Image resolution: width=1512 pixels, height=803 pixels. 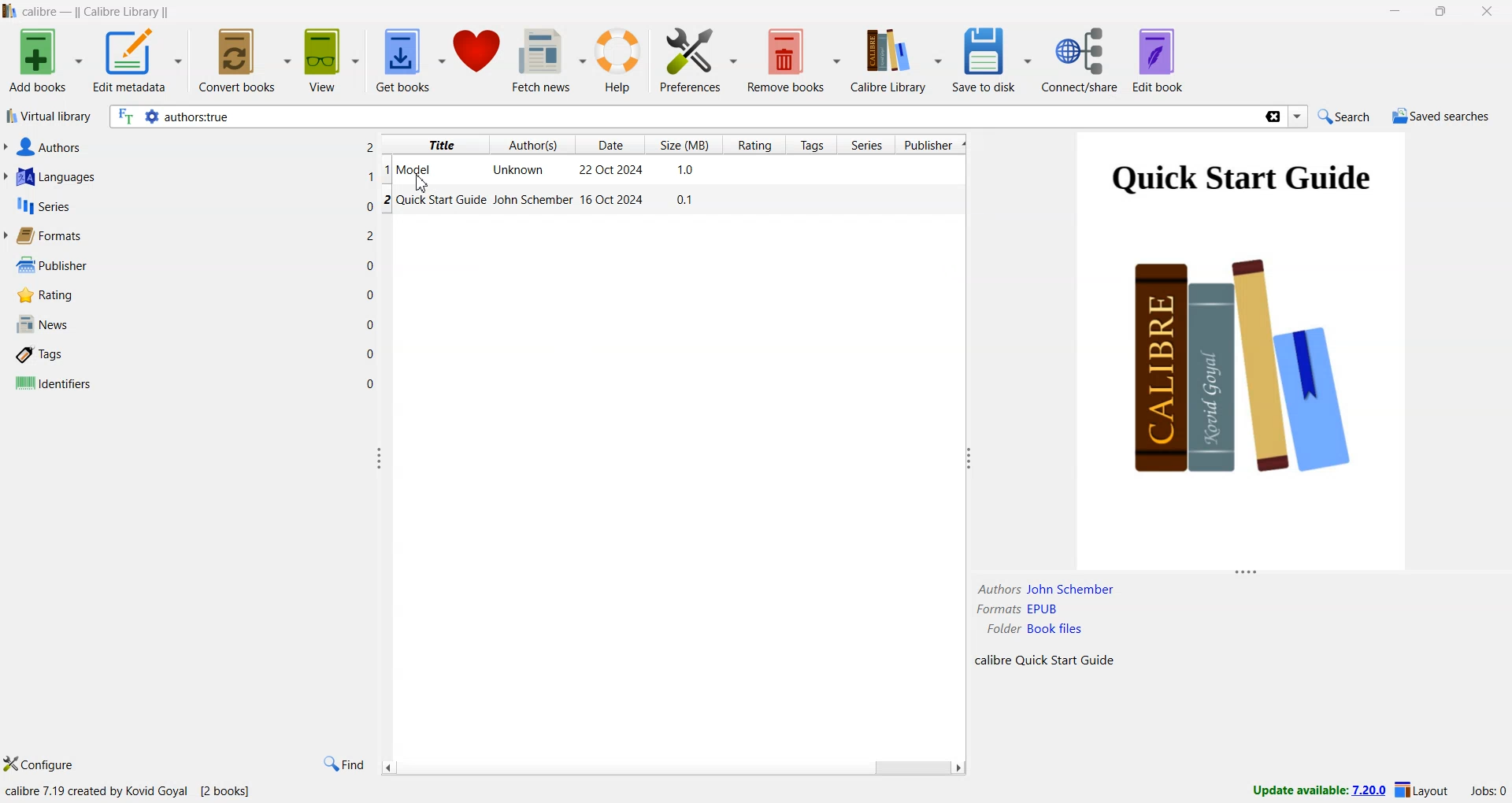 What do you see at coordinates (371, 383) in the screenshot?
I see `0` at bounding box center [371, 383].